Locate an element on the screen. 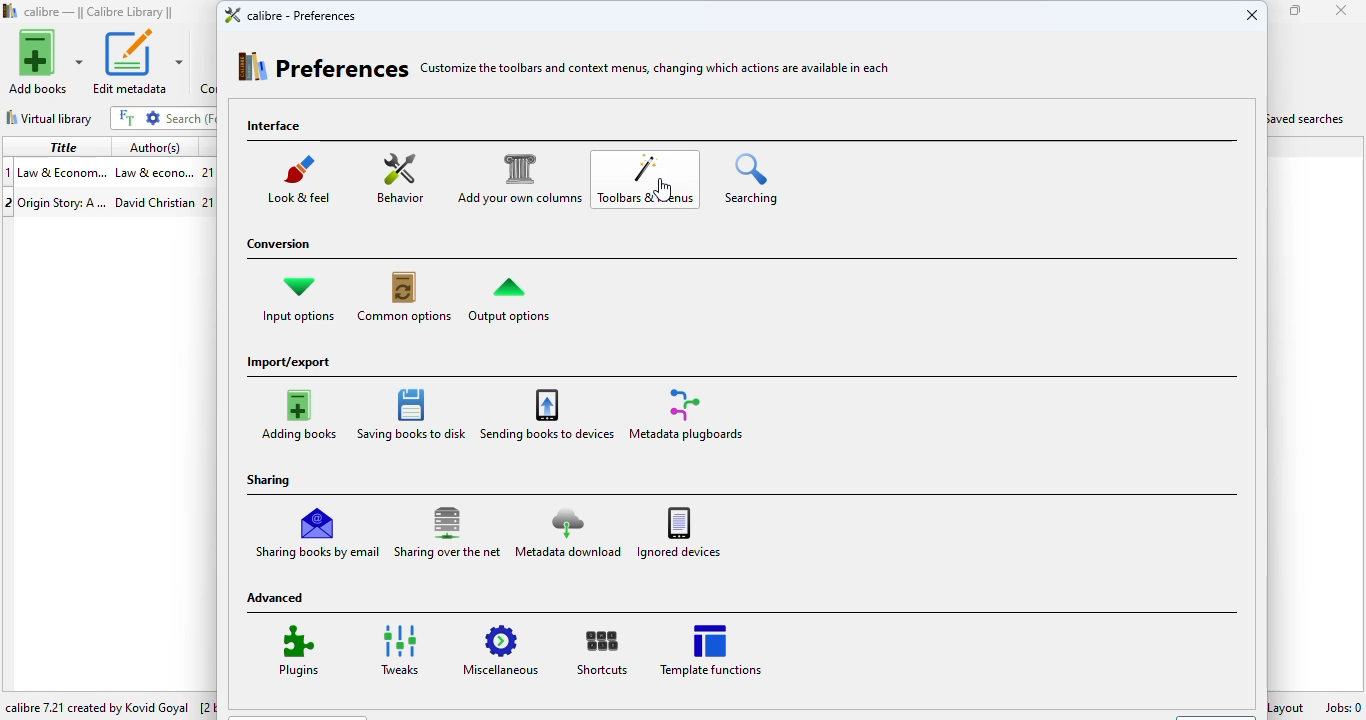 This screenshot has height=720, width=1366. saved searches is located at coordinates (1309, 117).